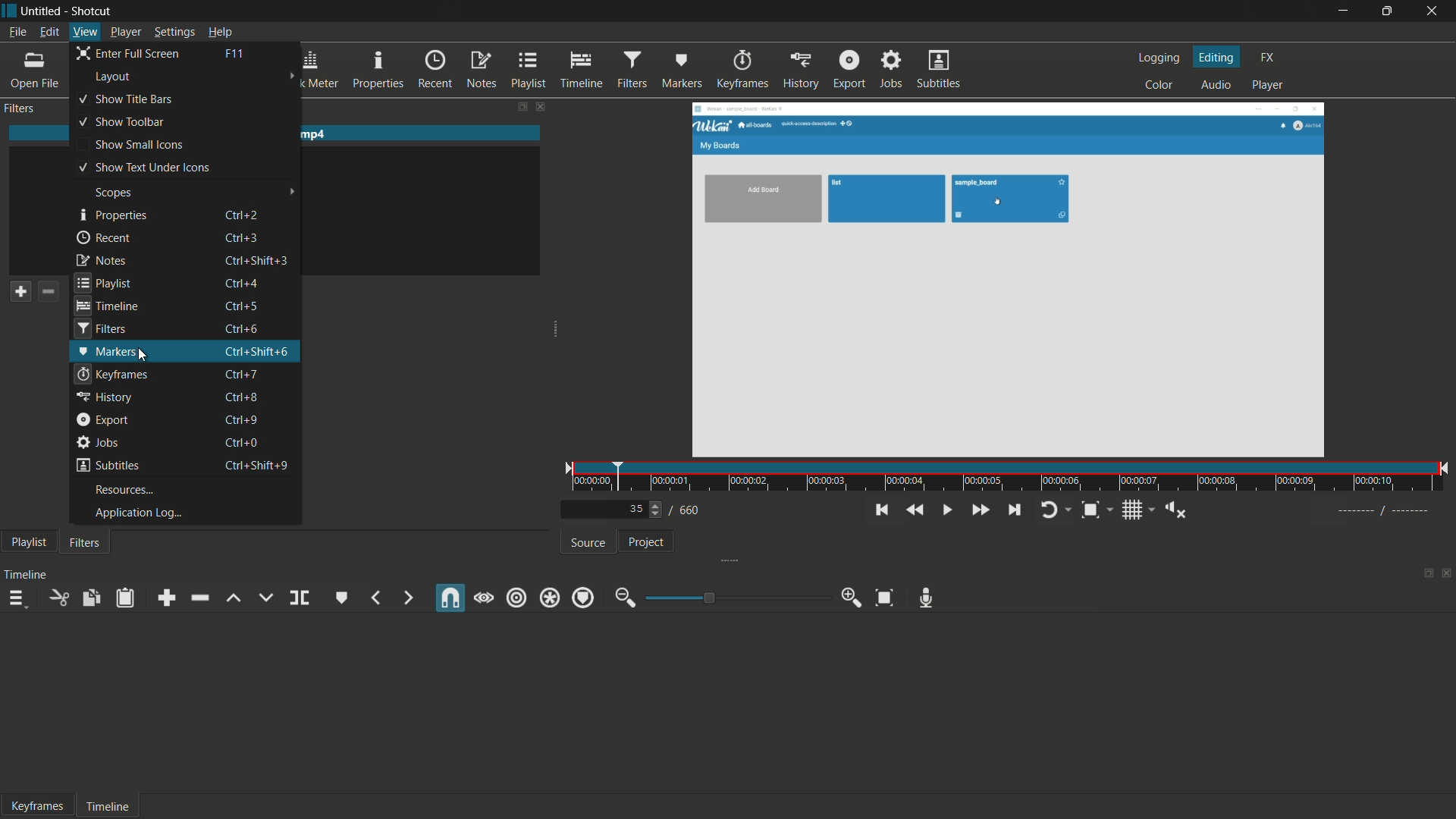  Describe the element at coordinates (926, 598) in the screenshot. I see `record audio` at that location.